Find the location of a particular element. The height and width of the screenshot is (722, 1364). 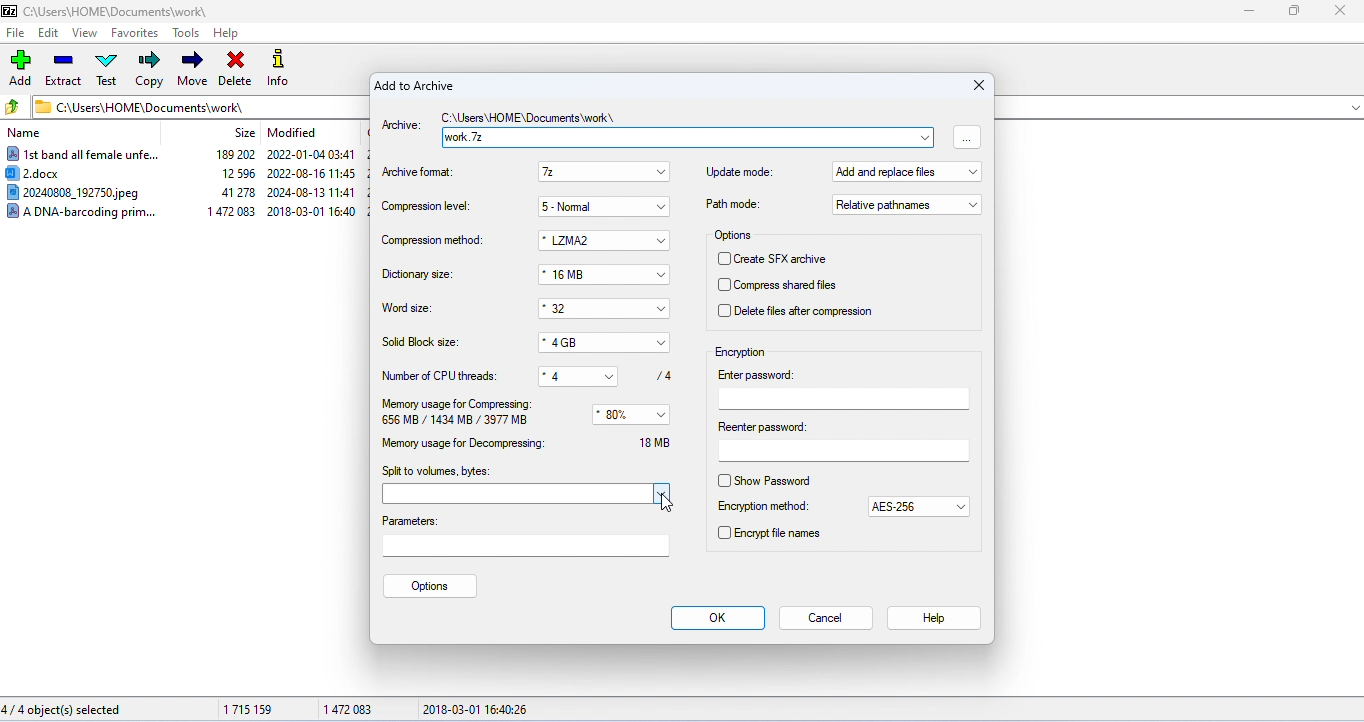

modified is located at coordinates (293, 132).